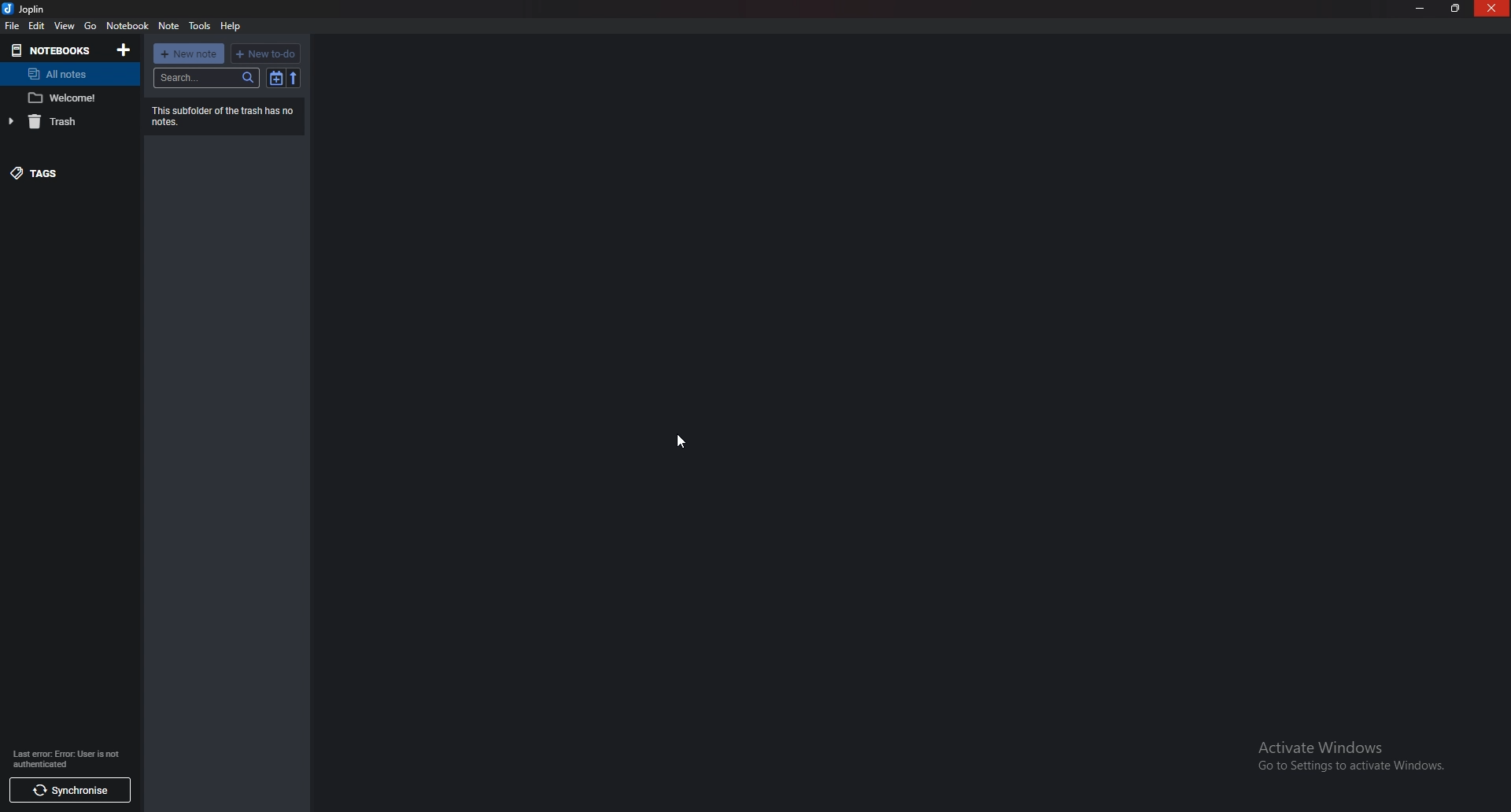 The height and width of the screenshot is (812, 1511). Describe the element at coordinates (127, 26) in the screenshot. I see `note book` at that location.